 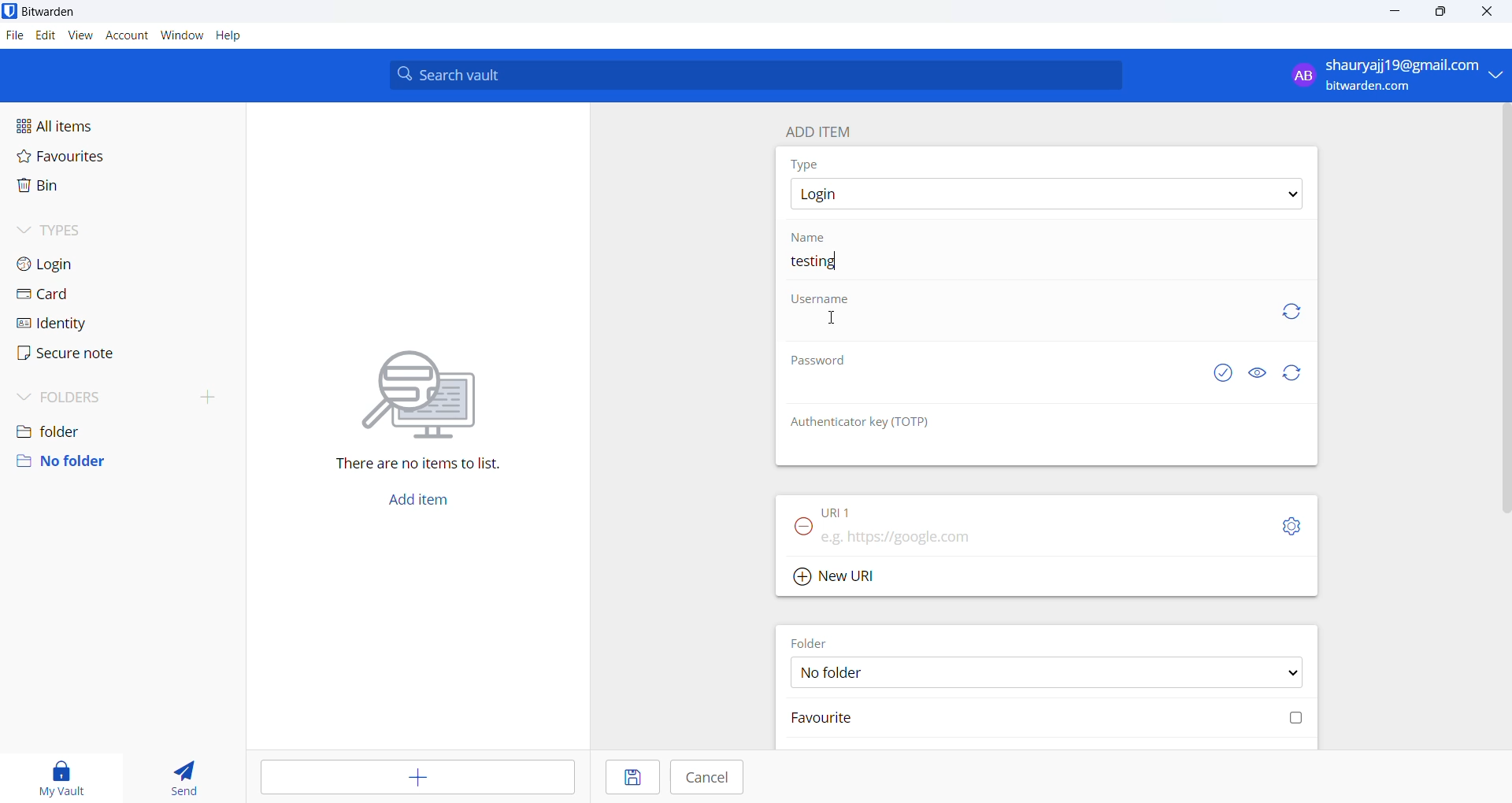 I want to click on search bar, so click(x=755, y=74).